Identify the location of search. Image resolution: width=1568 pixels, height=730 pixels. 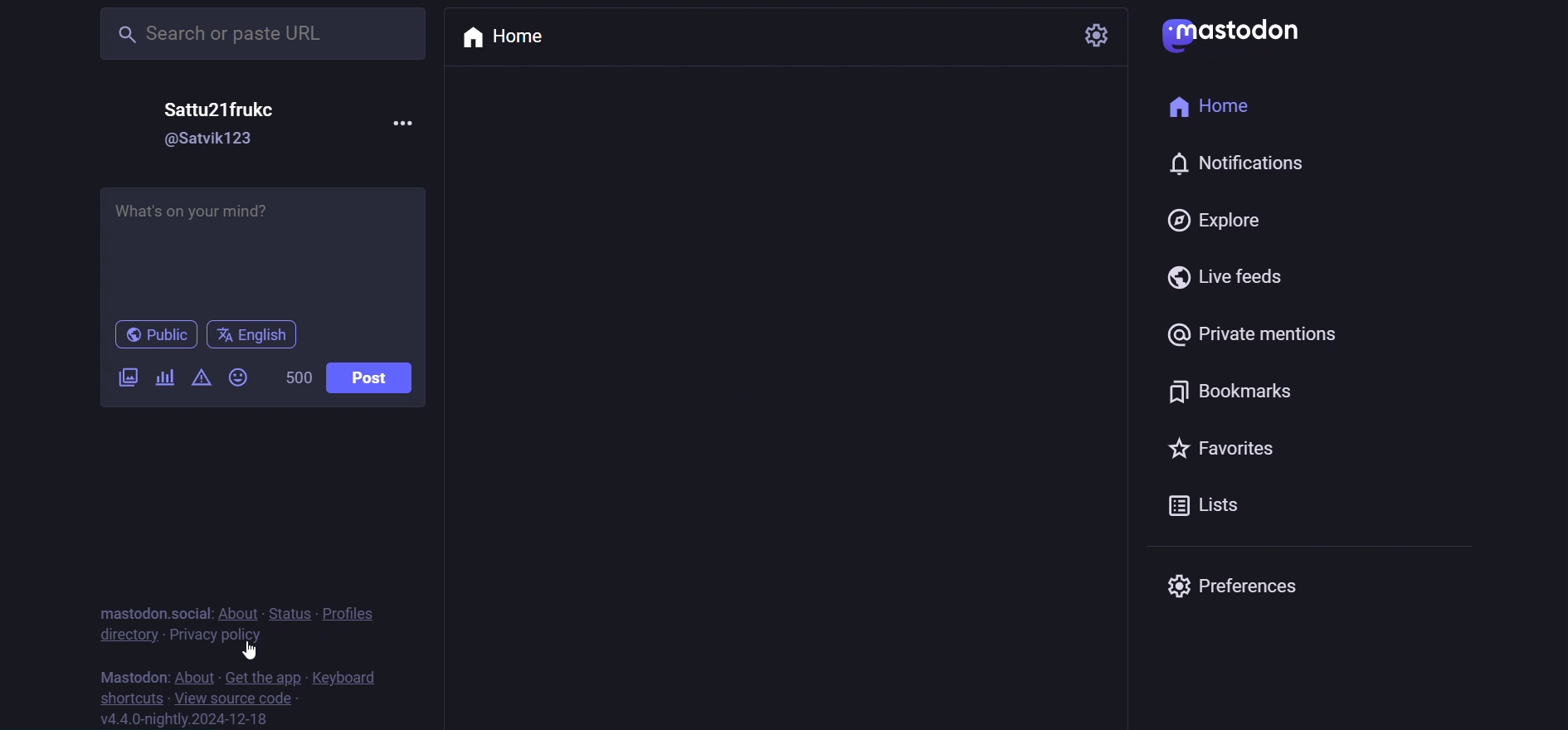
(260, 36).